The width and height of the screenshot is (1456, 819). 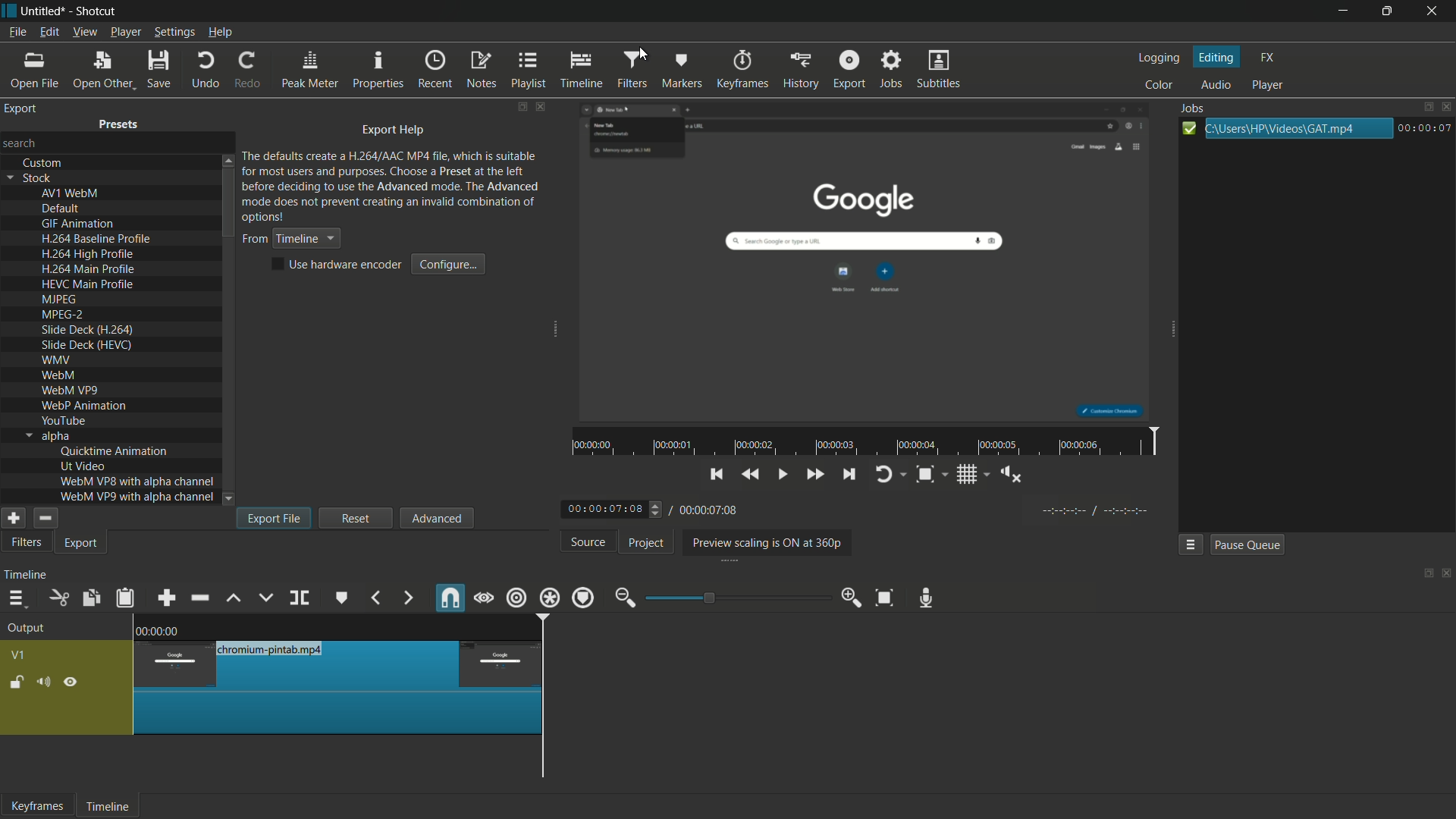 I want to click on alpha, so click(x=49, y=436).